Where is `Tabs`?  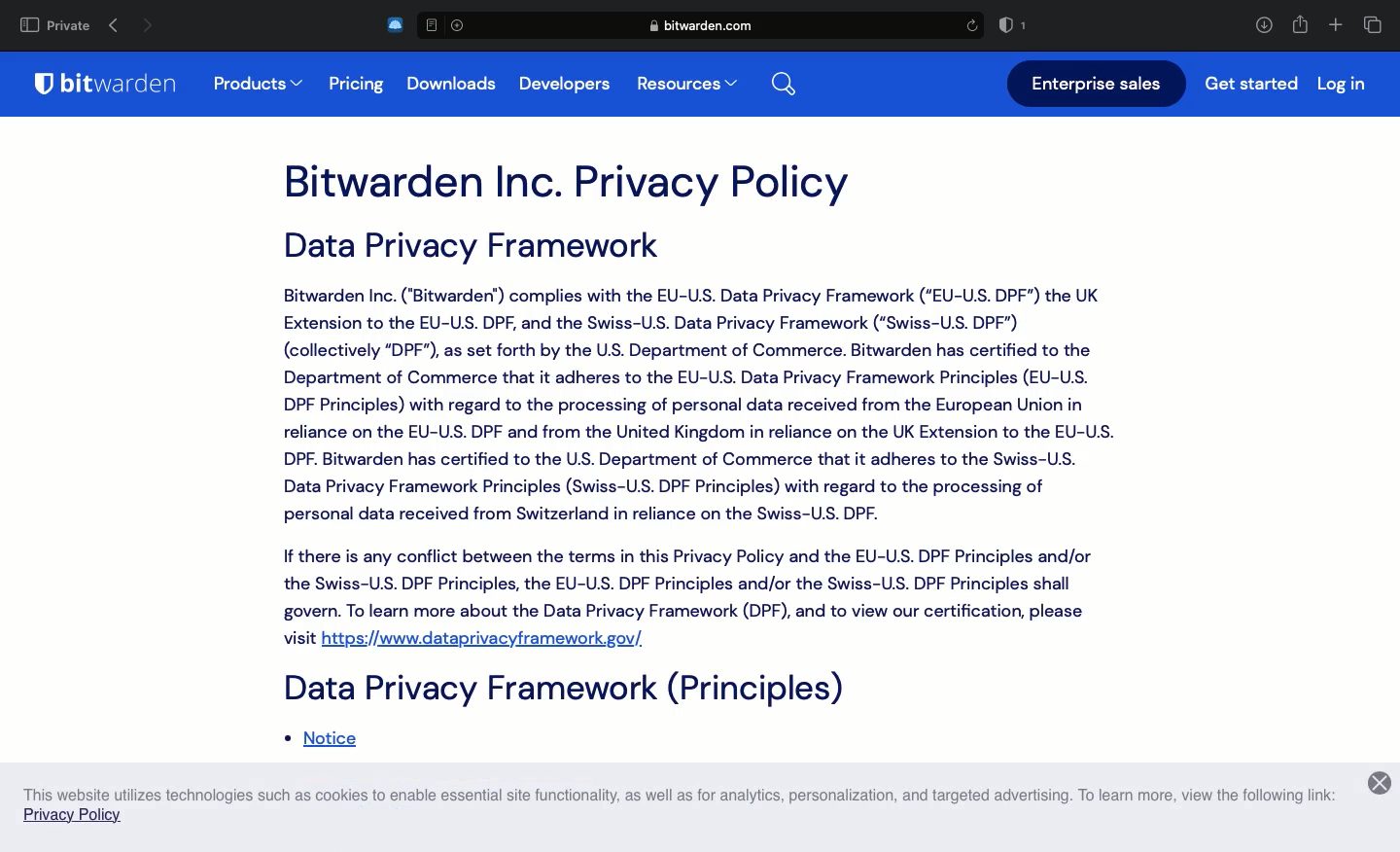 Tabs is located at coordinates (1376, 25).